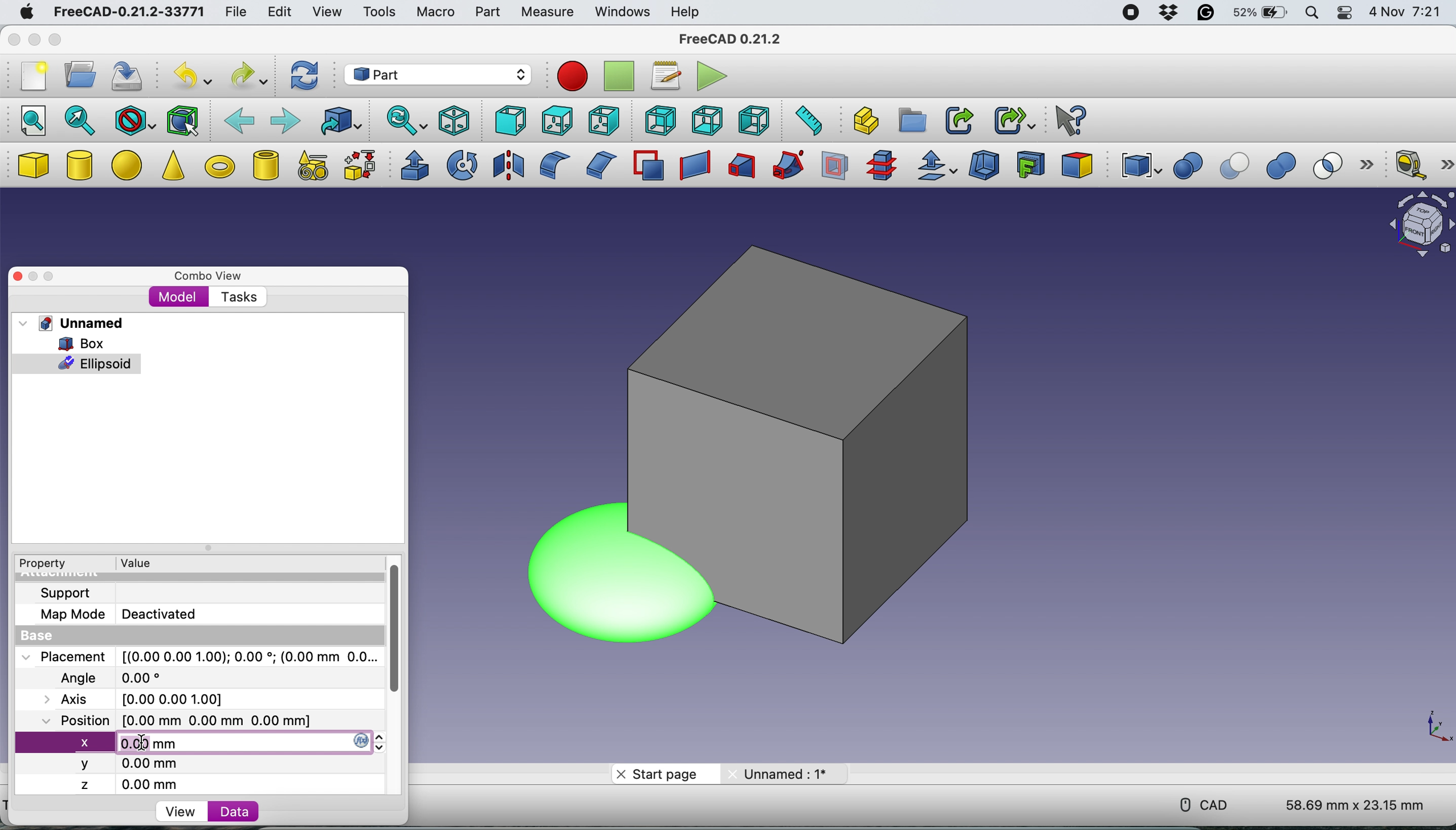  Describe the element at coordinates (1409, 164) in the screenshot. I see `measure linear` at that location.